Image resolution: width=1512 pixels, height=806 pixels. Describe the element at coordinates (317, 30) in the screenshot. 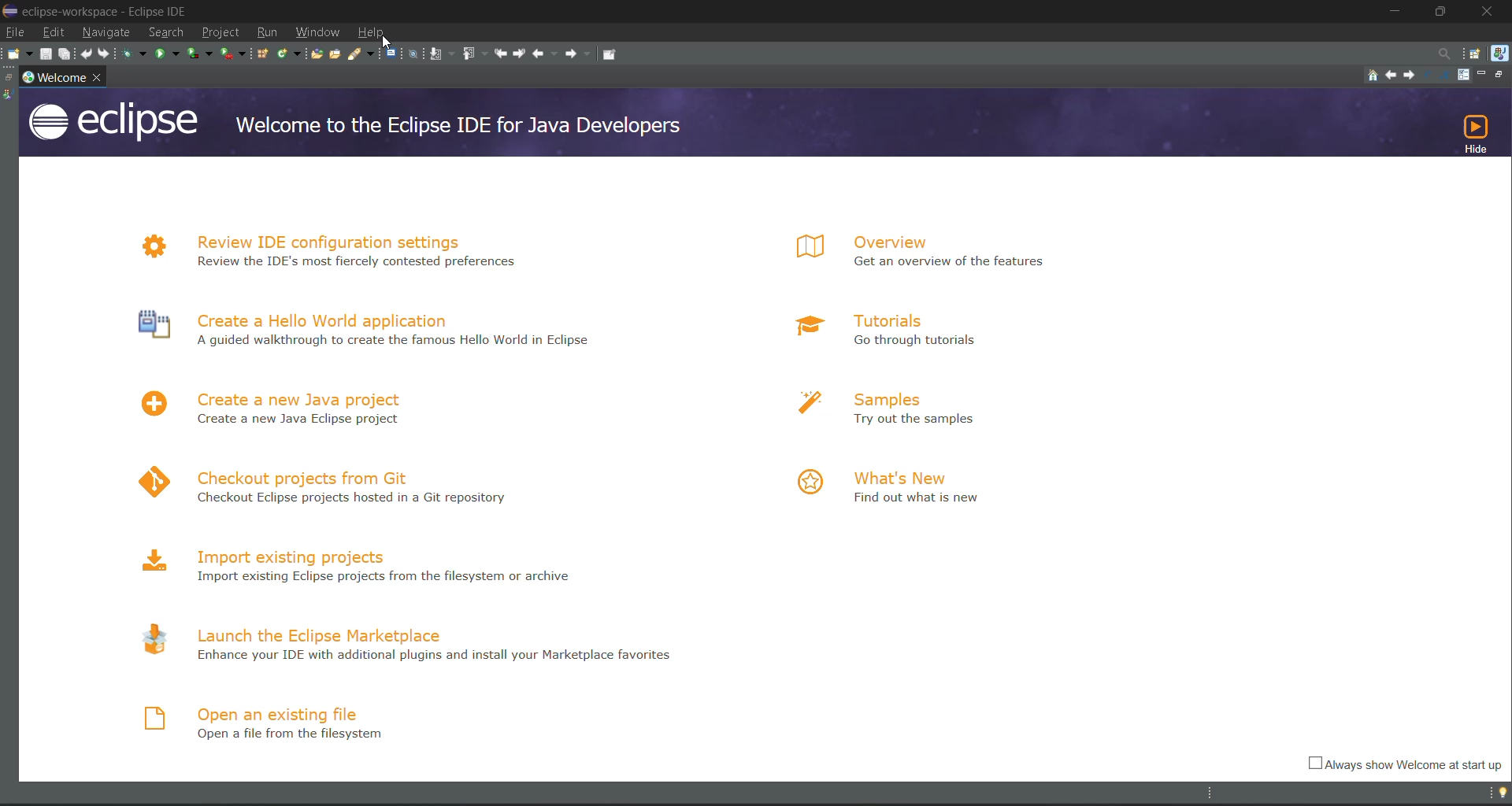

I see `window` at that location.